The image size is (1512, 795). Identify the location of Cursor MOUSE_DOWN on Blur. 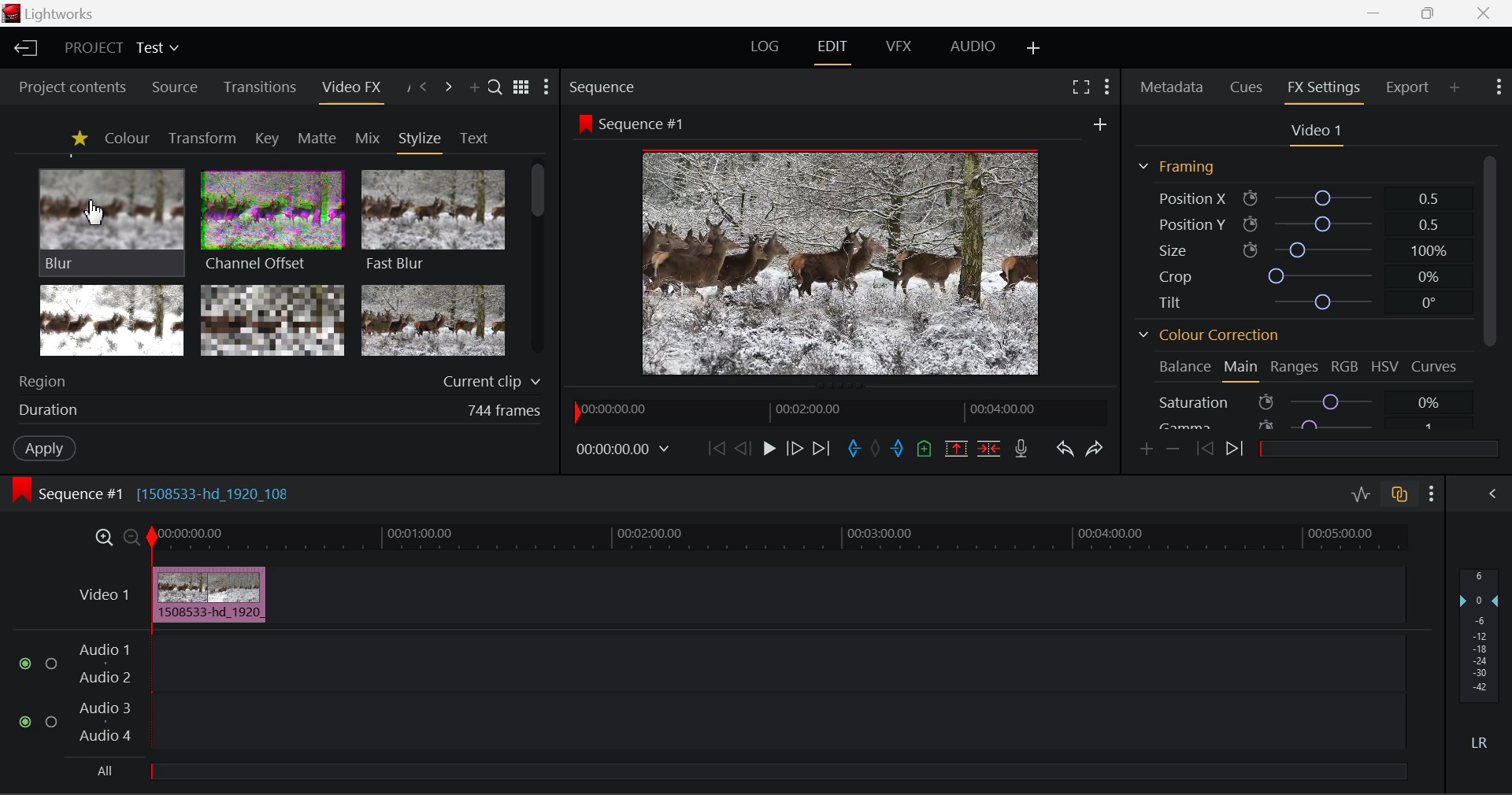
(112, 220).